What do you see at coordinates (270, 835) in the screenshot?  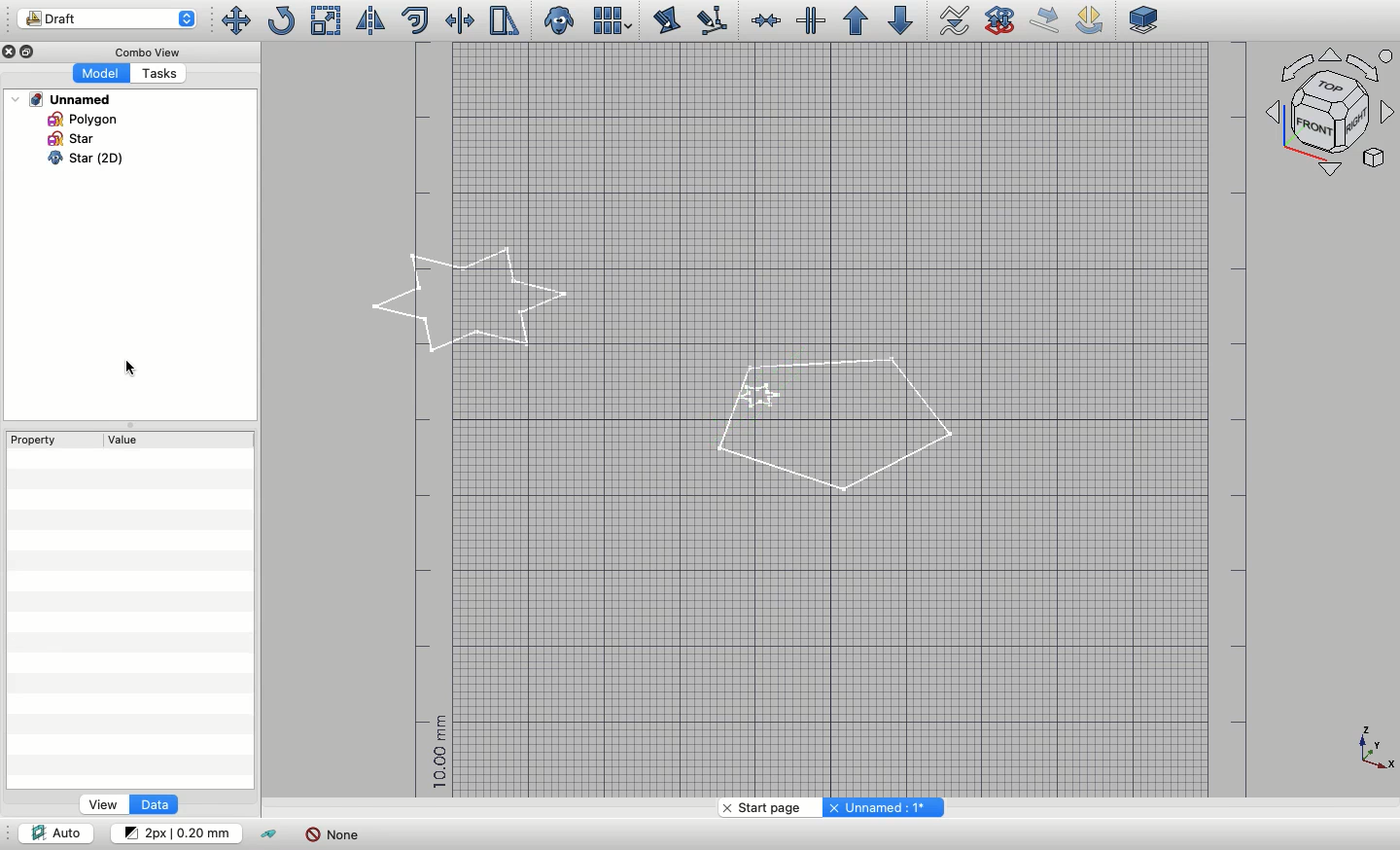 I see `Toggle construction mode` at bounding box center [270, 835].